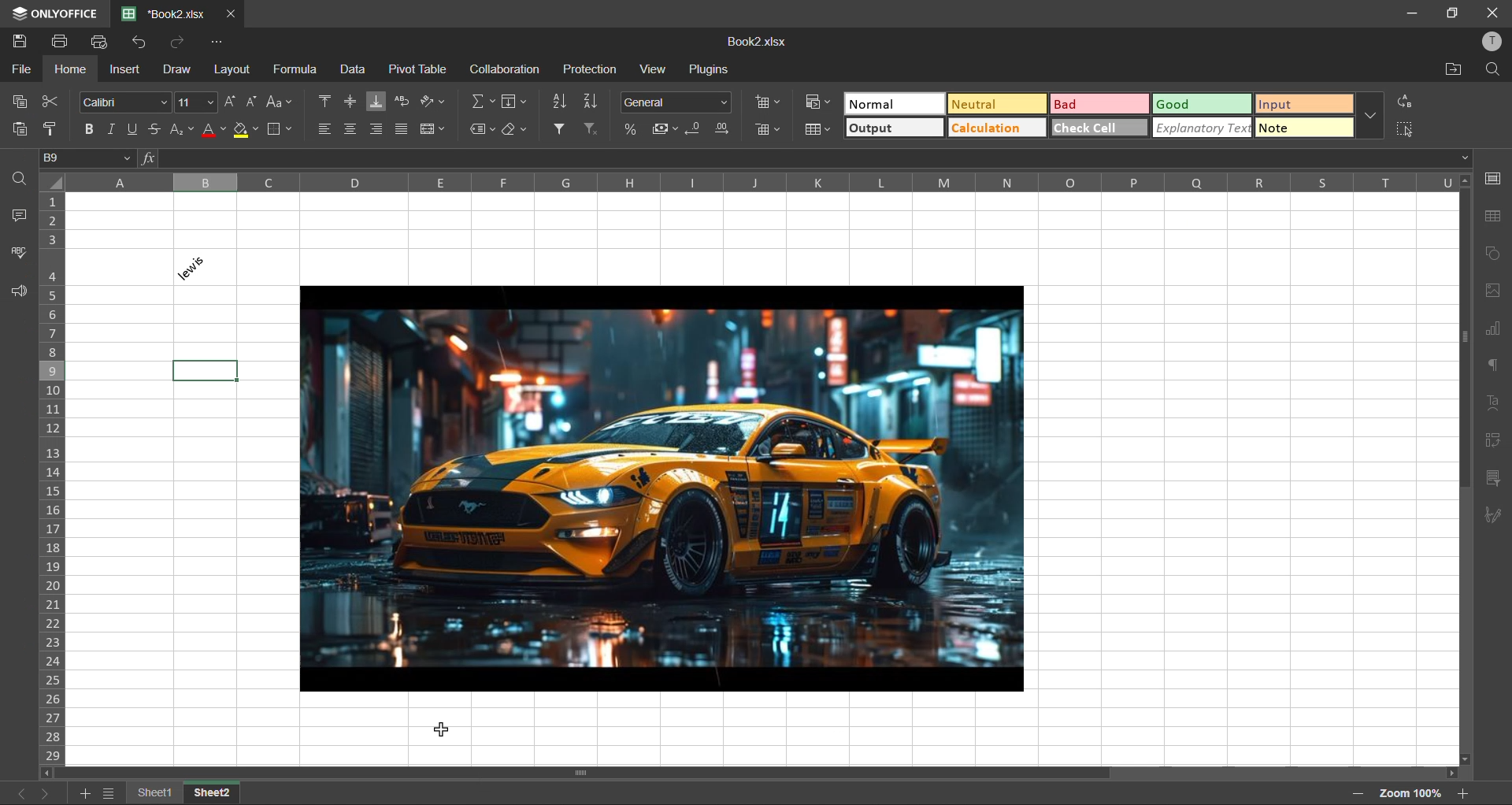  What do you see at coordinates (712, 70) in the screenshot?
I see `plugins` at bounding box center [712, 70].